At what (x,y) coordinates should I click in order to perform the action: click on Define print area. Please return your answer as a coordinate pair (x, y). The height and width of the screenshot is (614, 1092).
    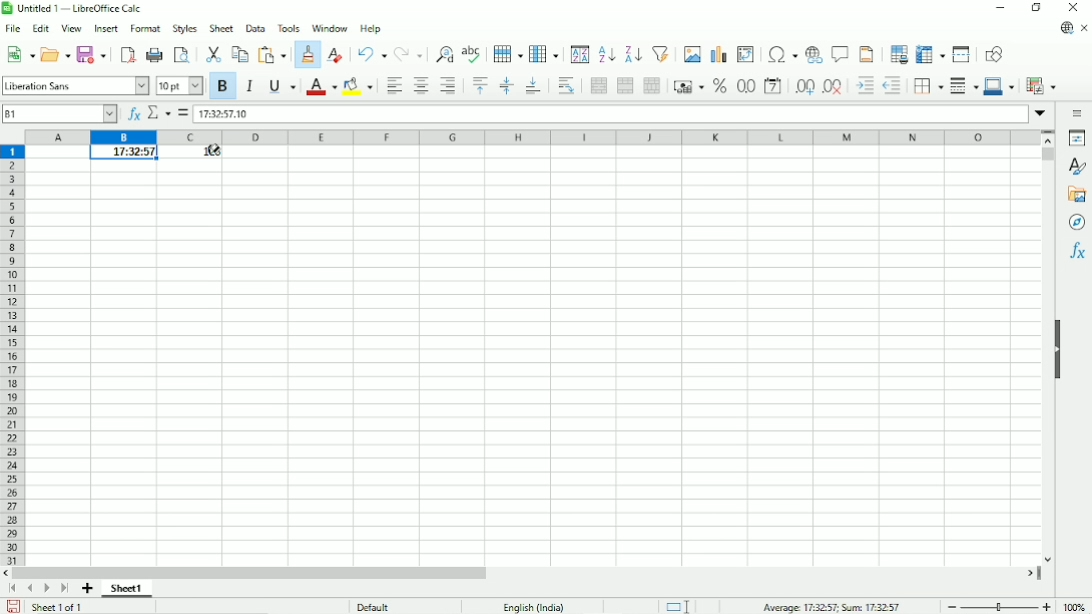
    Looking at the image, I should click on (897, 55).